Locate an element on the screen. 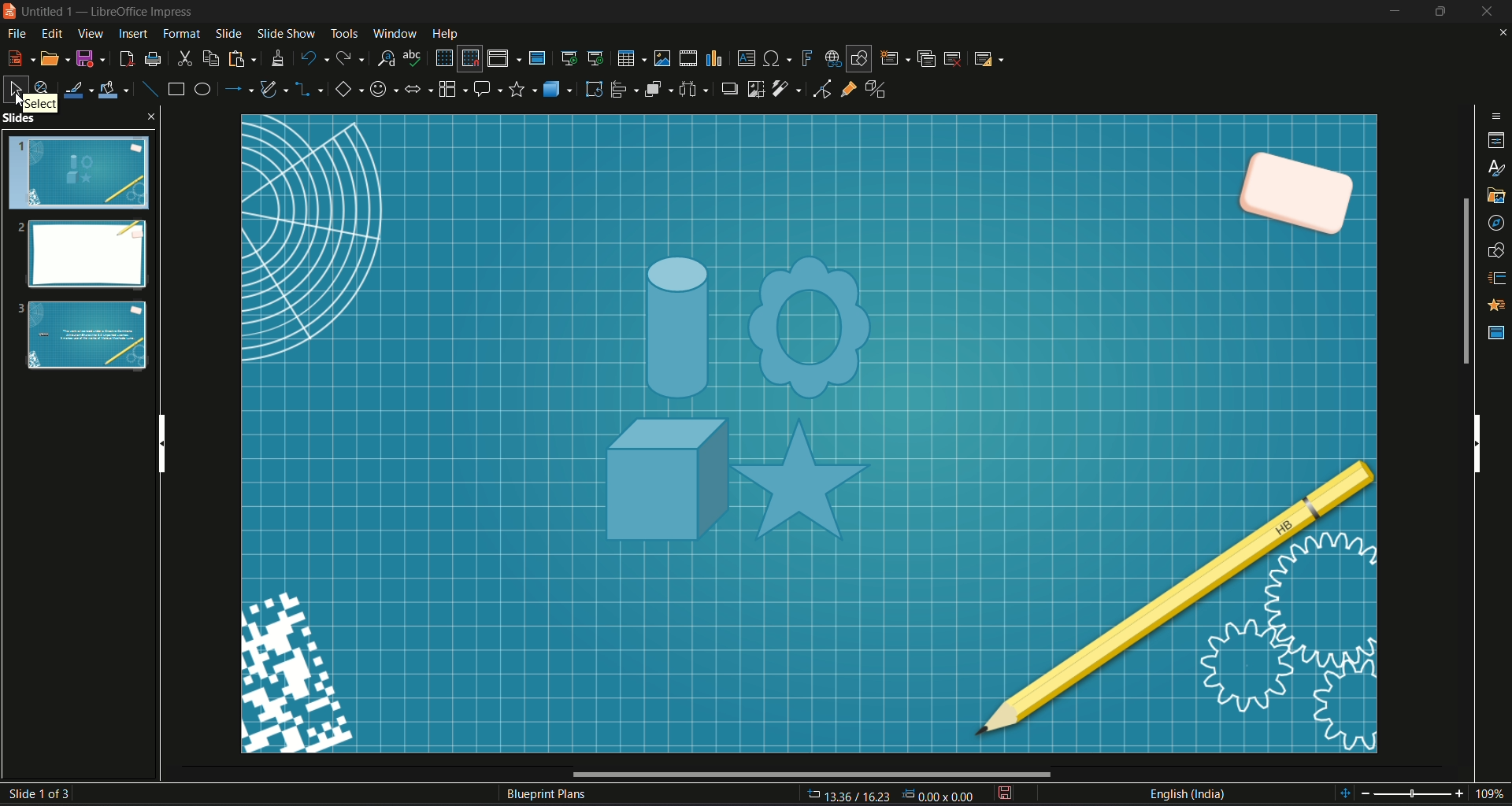 The width and height of the screenshot is (1512, 806). Vertical scroll bar is located at coordinates (160, 439).